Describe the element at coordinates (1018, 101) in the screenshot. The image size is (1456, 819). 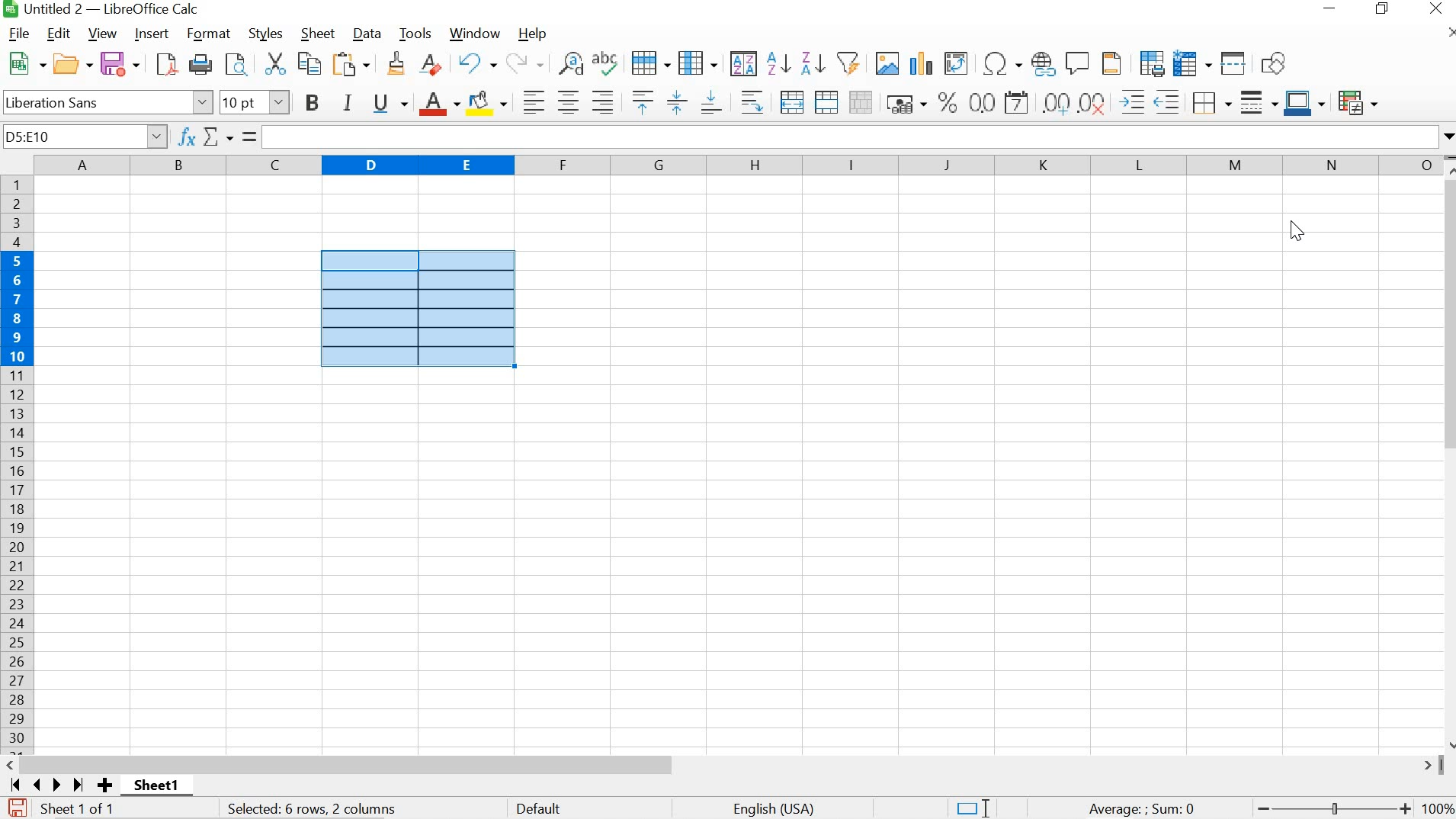
I see `FORMAT AS DATE` at that location.